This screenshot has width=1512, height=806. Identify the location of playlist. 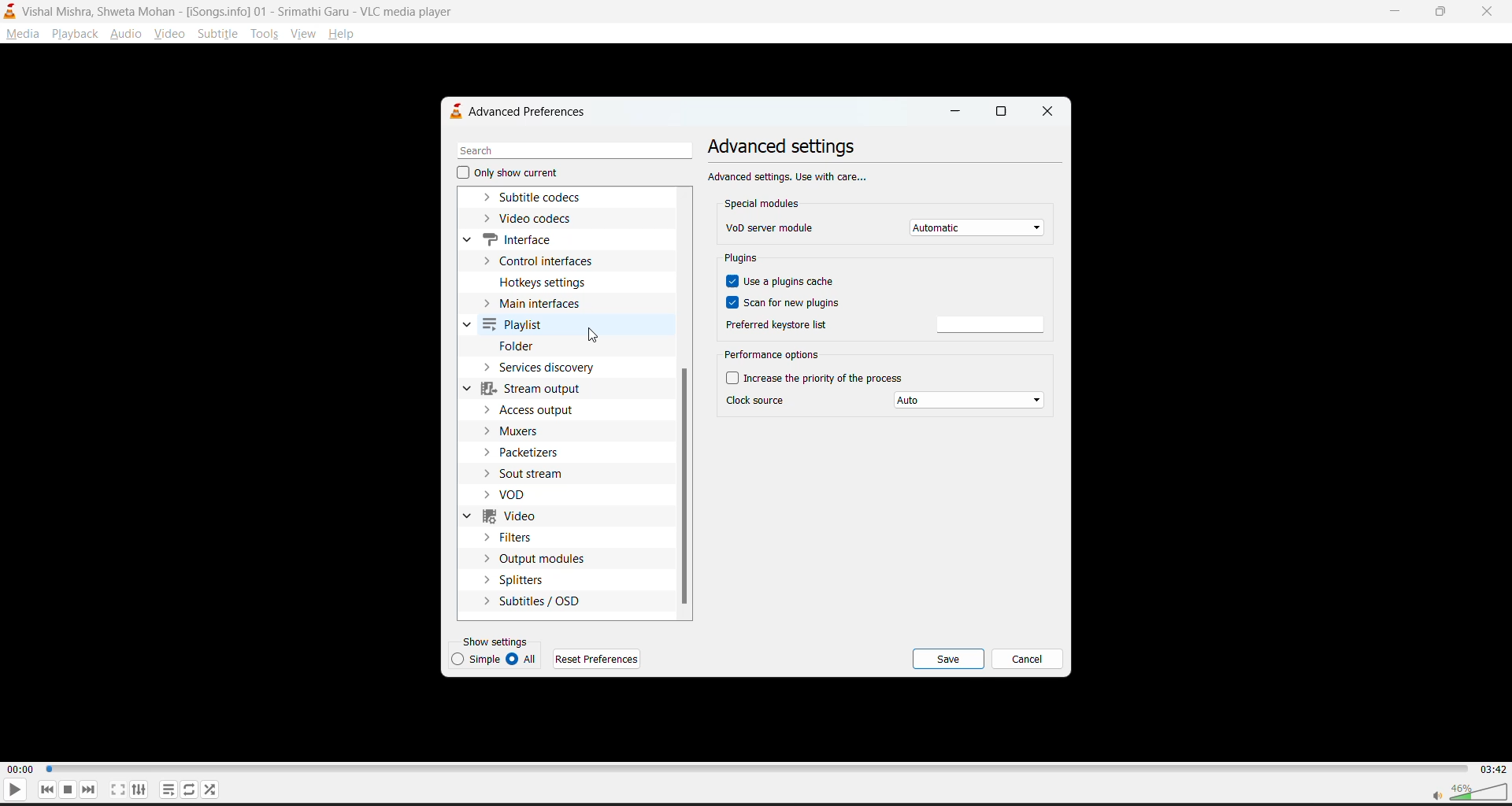
(165, 788).